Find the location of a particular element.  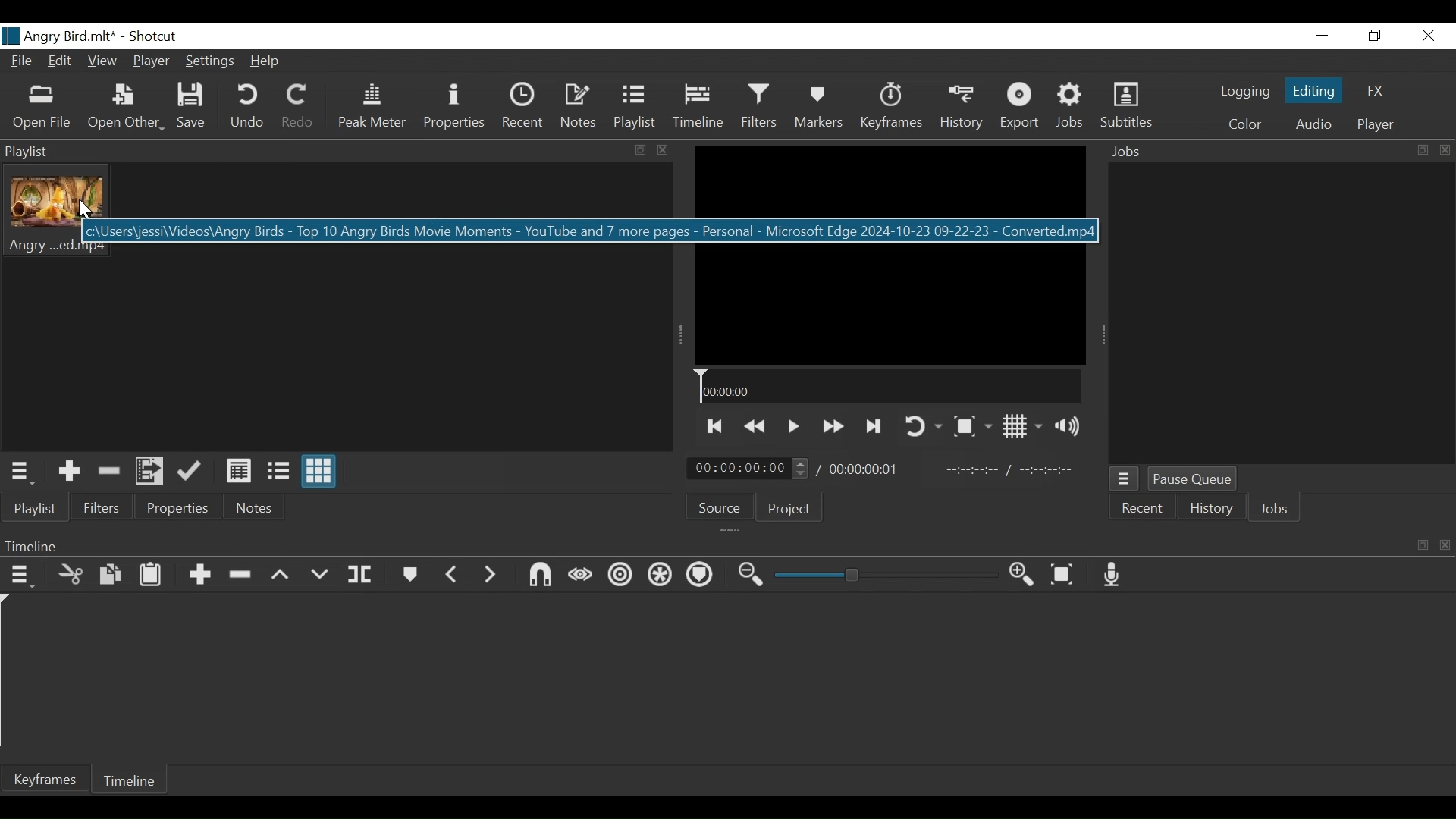

Properties is located at coordinates (179, 504).